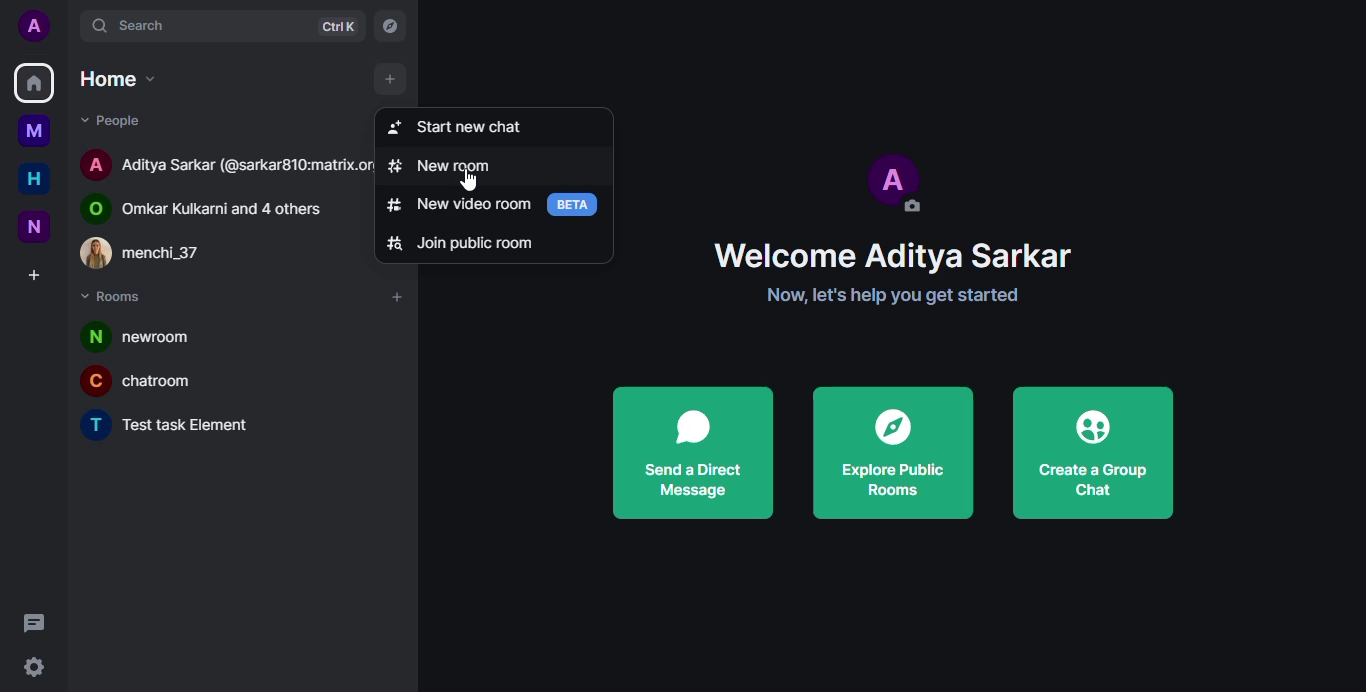  What do you see at coordinates (457, 204) in the screenshot?
I see `new video room` at bounding box center [457, 204].